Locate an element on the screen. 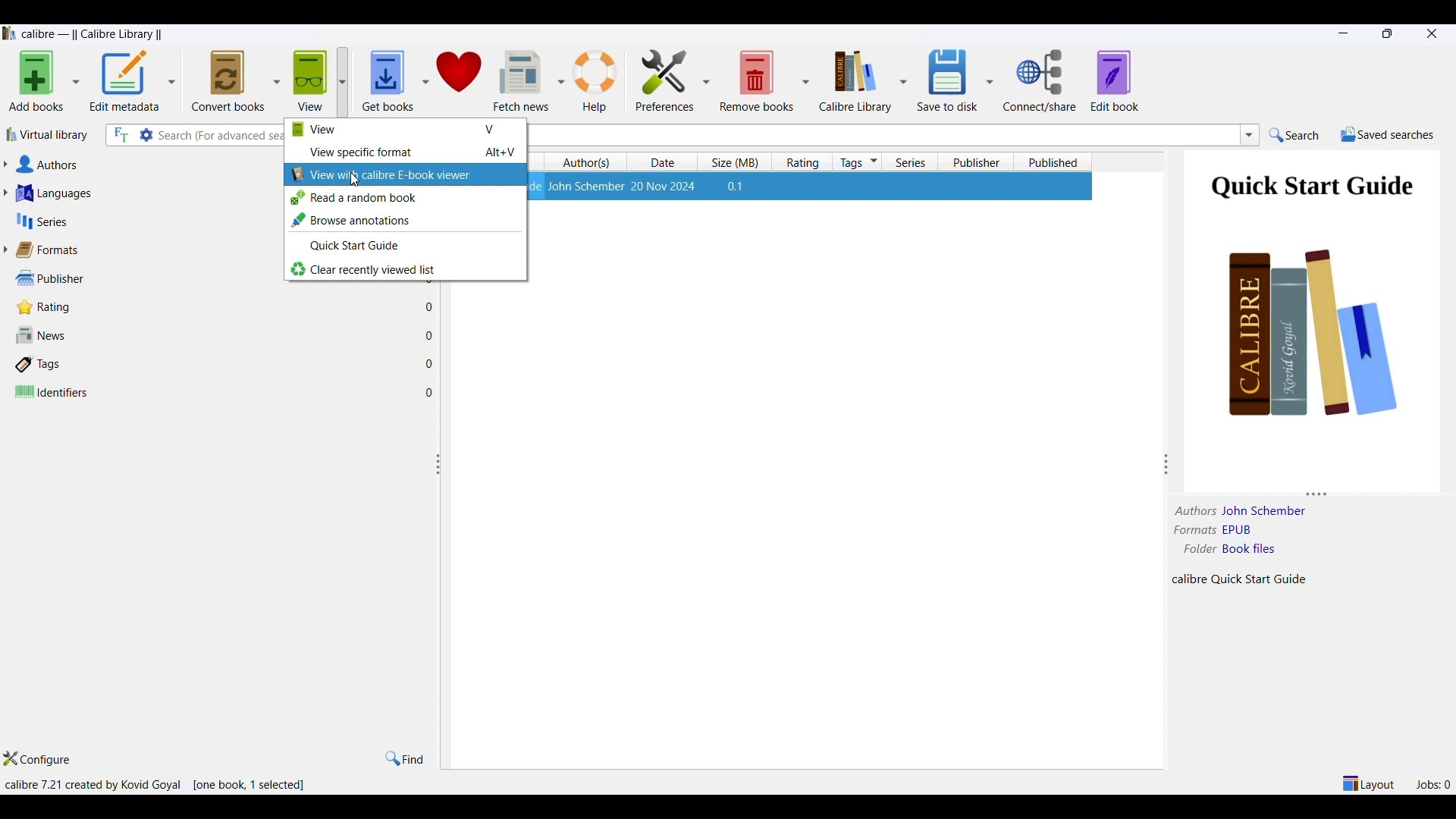 Image resolution: width=1456 pixels, height=819 pixels. save to disc options dropdown button is located at coordinates (990, 80).